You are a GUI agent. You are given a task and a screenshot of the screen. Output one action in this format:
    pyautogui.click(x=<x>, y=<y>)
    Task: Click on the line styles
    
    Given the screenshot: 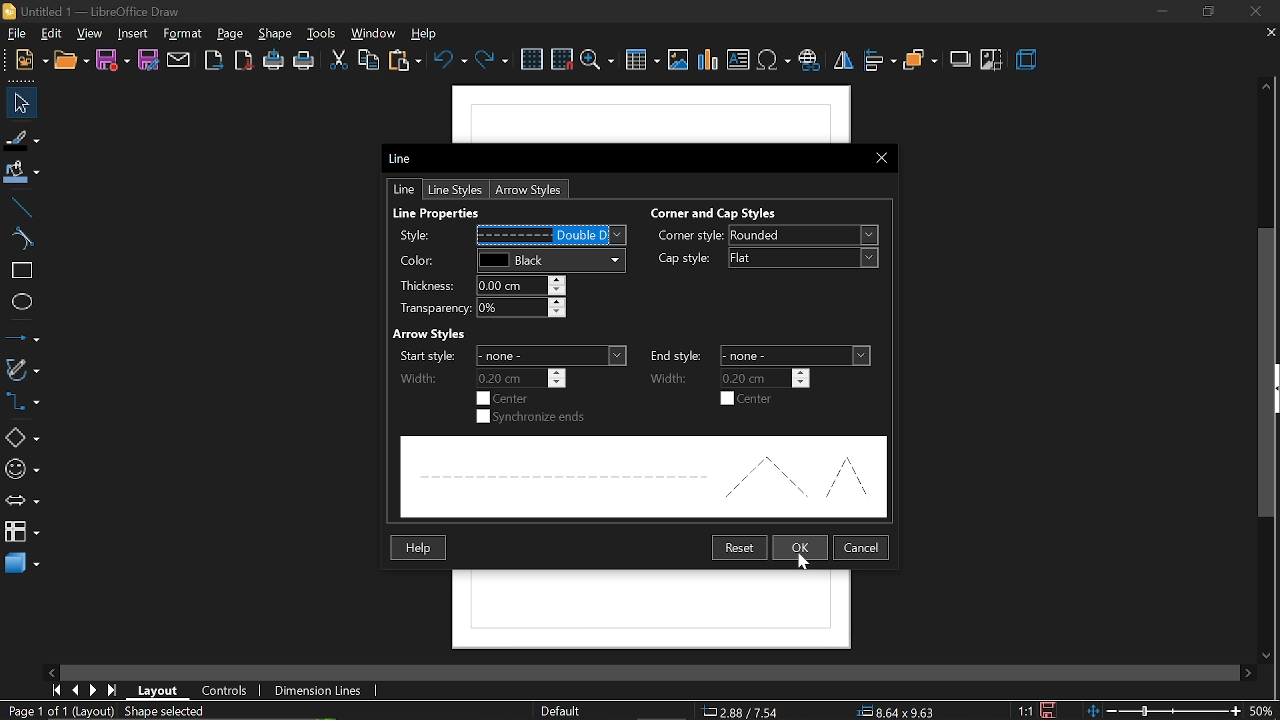 What is the action you would take?
    pyautogui.click(x=454, y=190)
    